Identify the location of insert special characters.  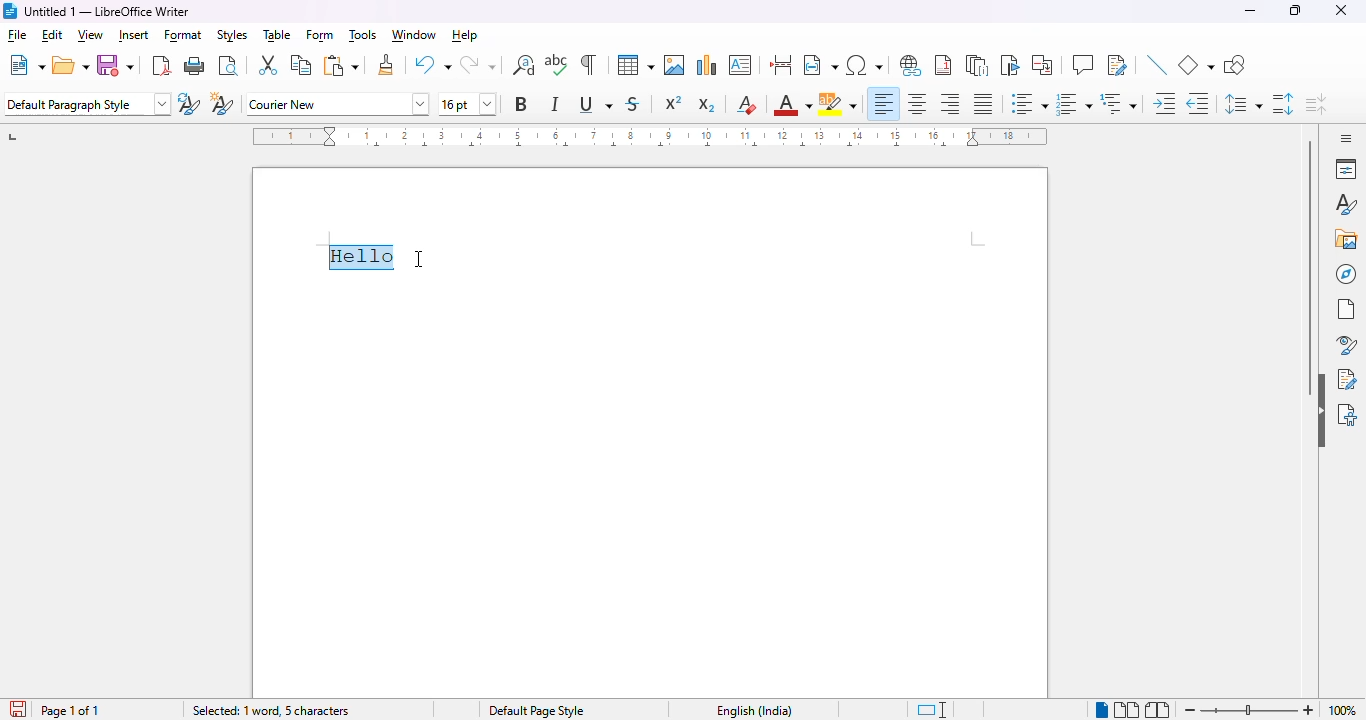
(867, 65).